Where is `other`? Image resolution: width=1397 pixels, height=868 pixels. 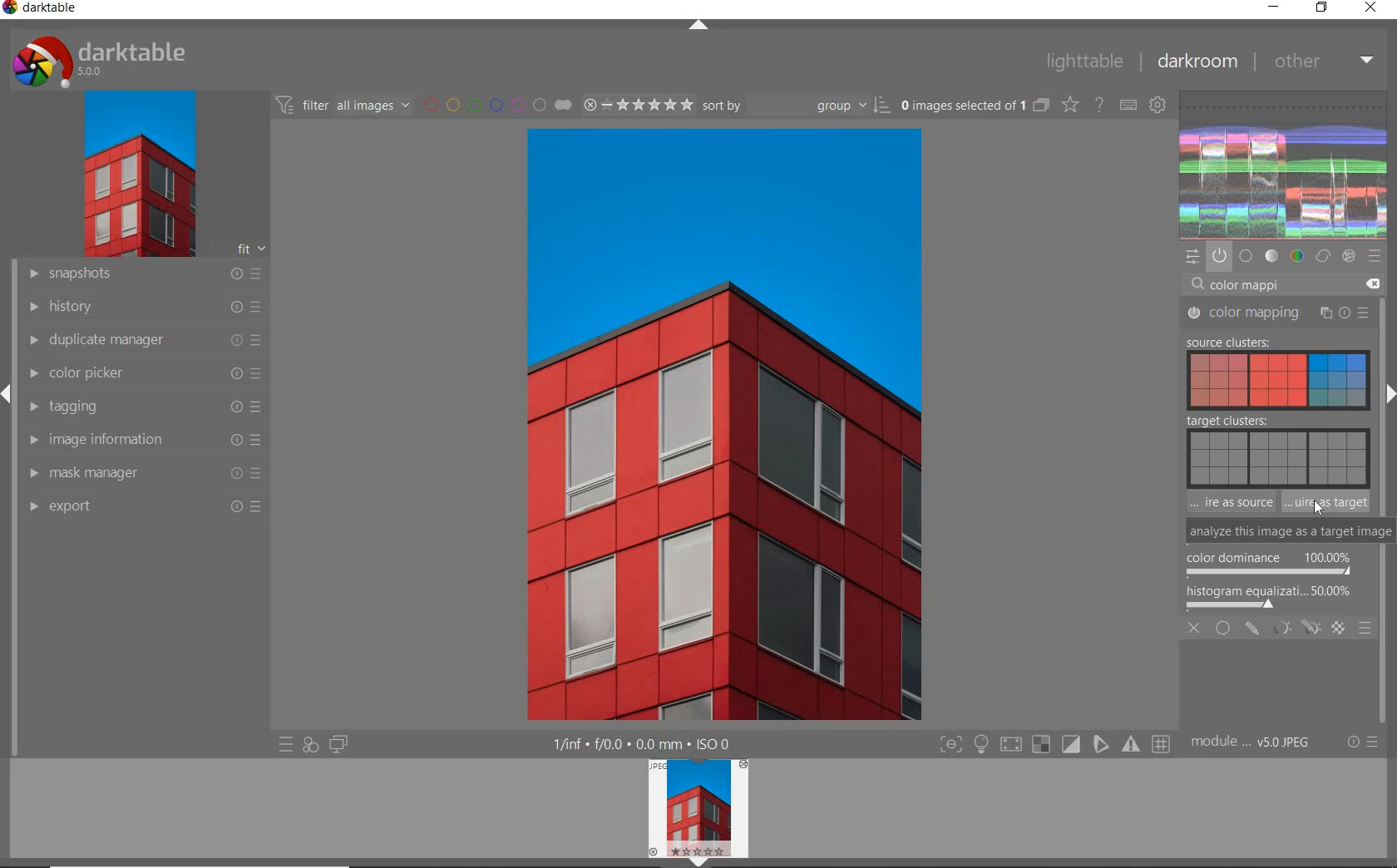
other is located at coordinates (1322, 62).